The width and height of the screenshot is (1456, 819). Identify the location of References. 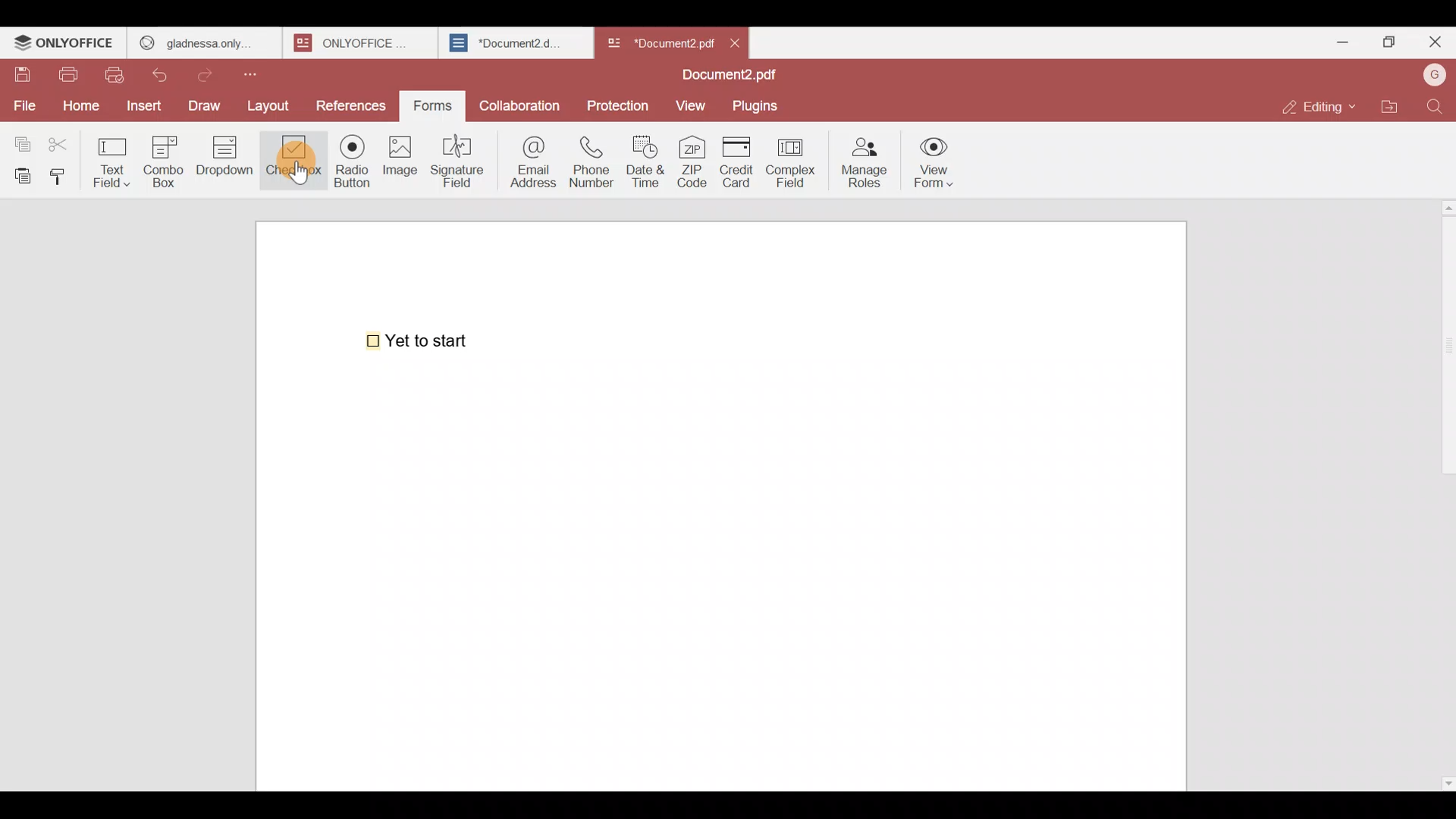
(351, 105).